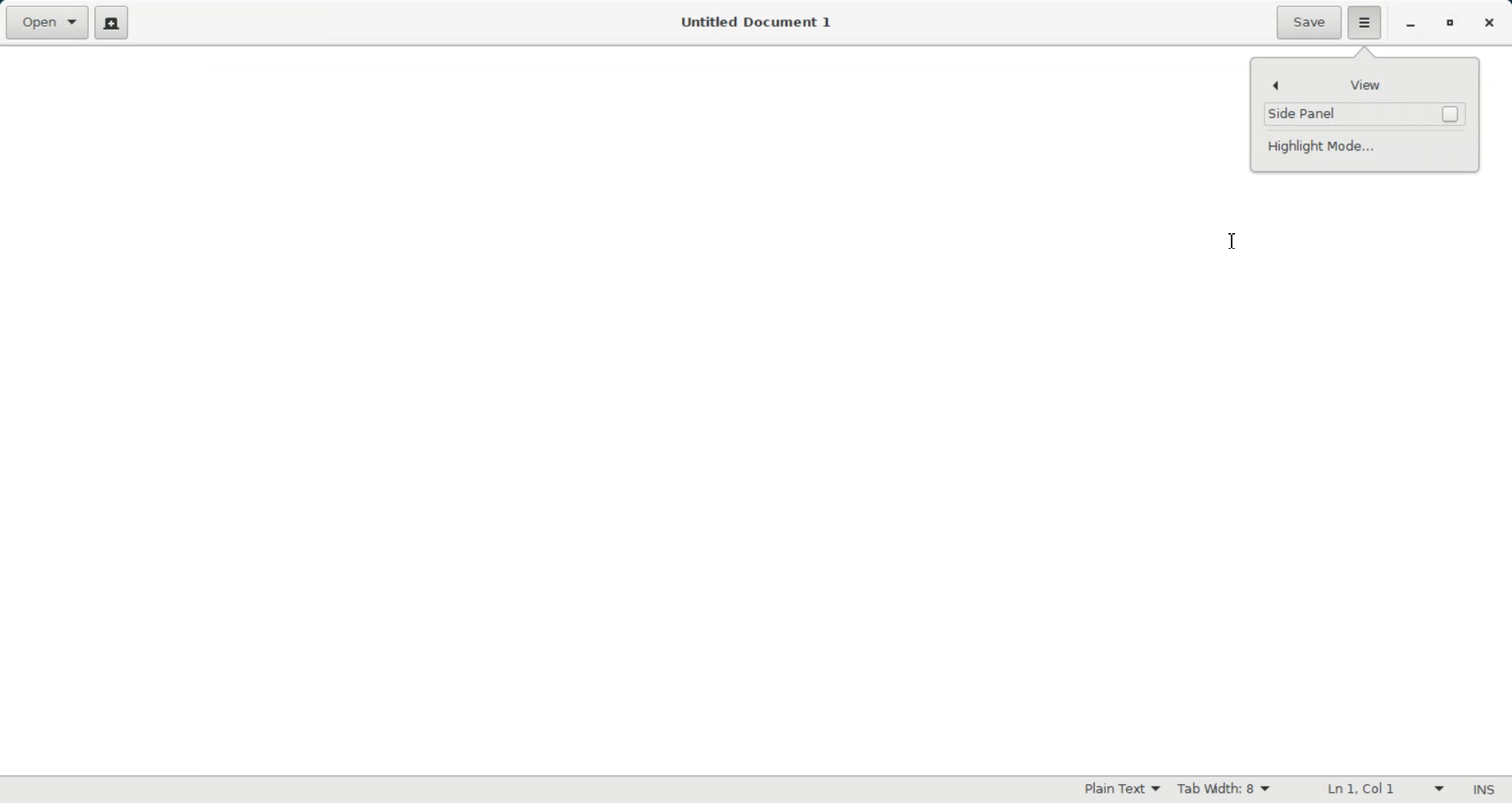 The width and height of the screenshot is (1512, 803). Describe the element at coordinates (1122, 790) in the screenshot. I see `Highlighting Mode` at that location.